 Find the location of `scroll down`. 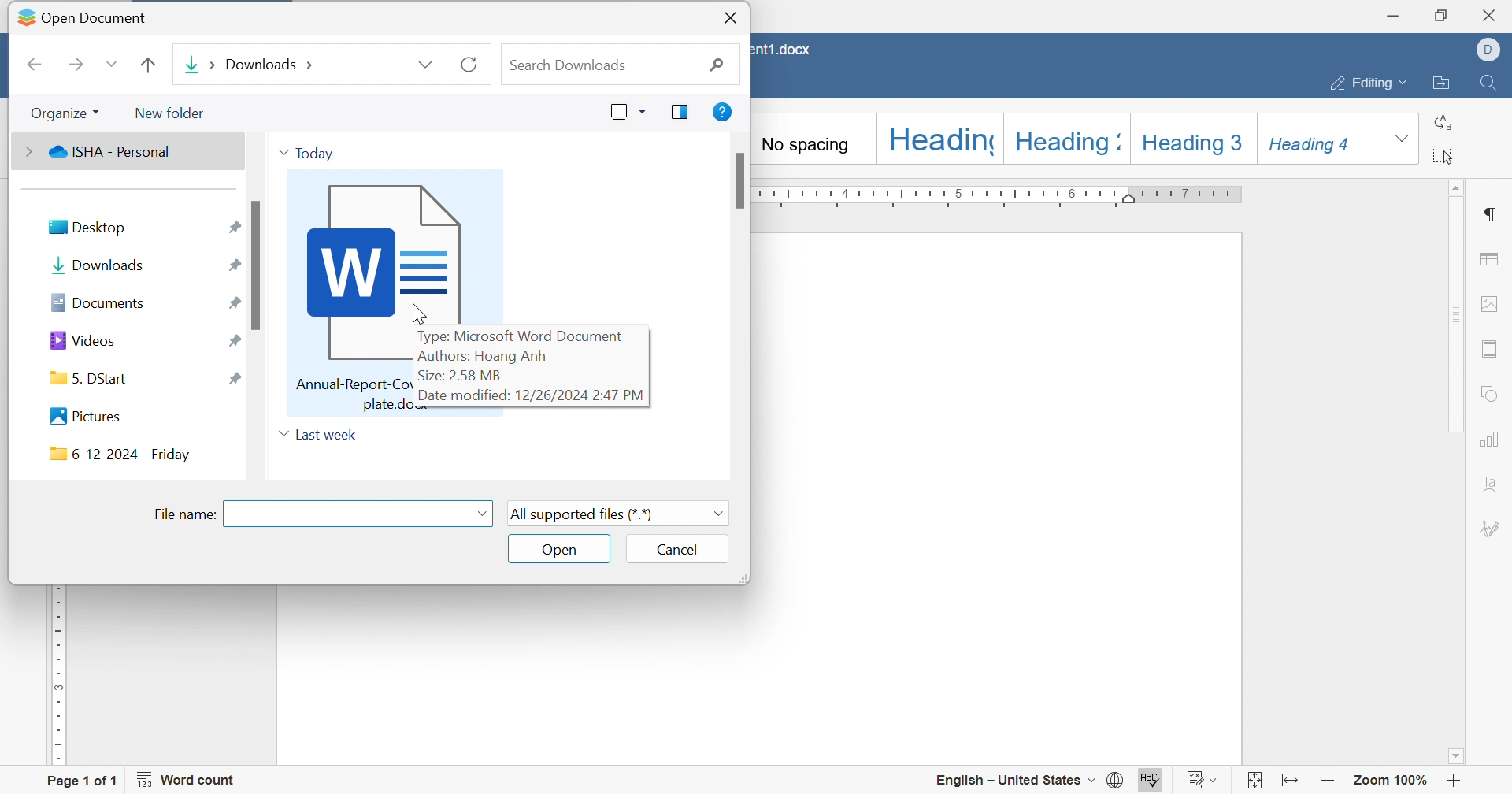

scroll down is located at coordinates (1461, 762).